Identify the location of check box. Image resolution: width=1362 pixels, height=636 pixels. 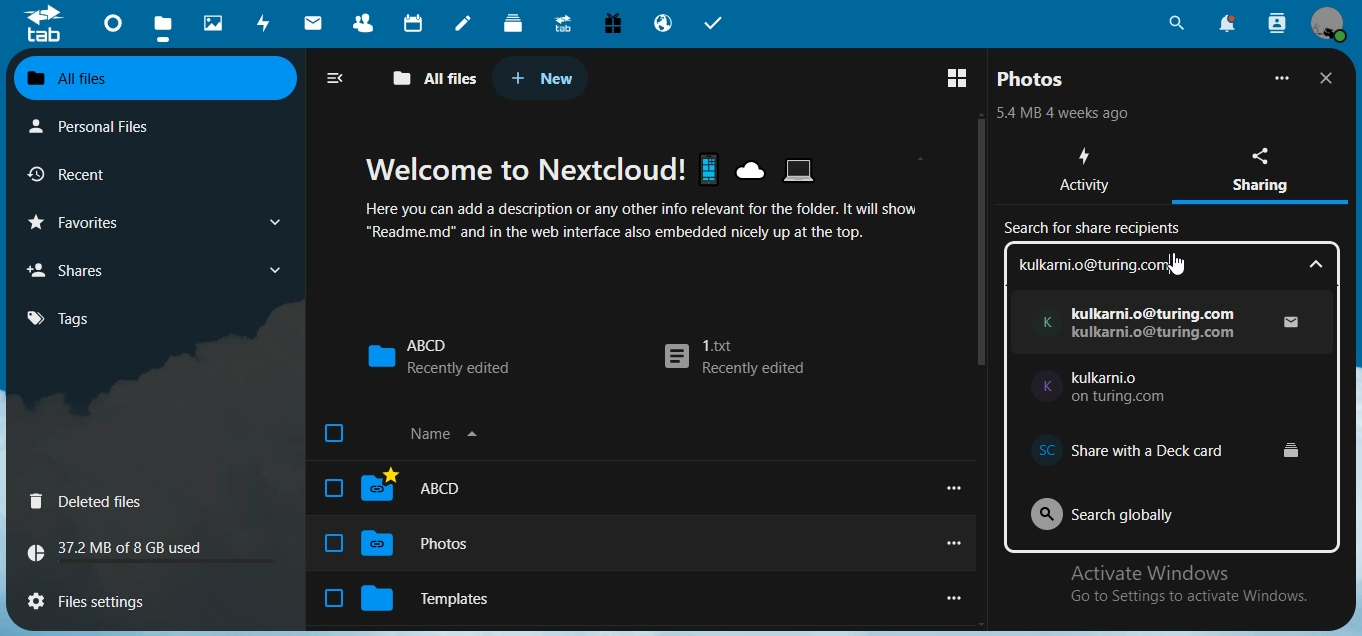
(332, 598).